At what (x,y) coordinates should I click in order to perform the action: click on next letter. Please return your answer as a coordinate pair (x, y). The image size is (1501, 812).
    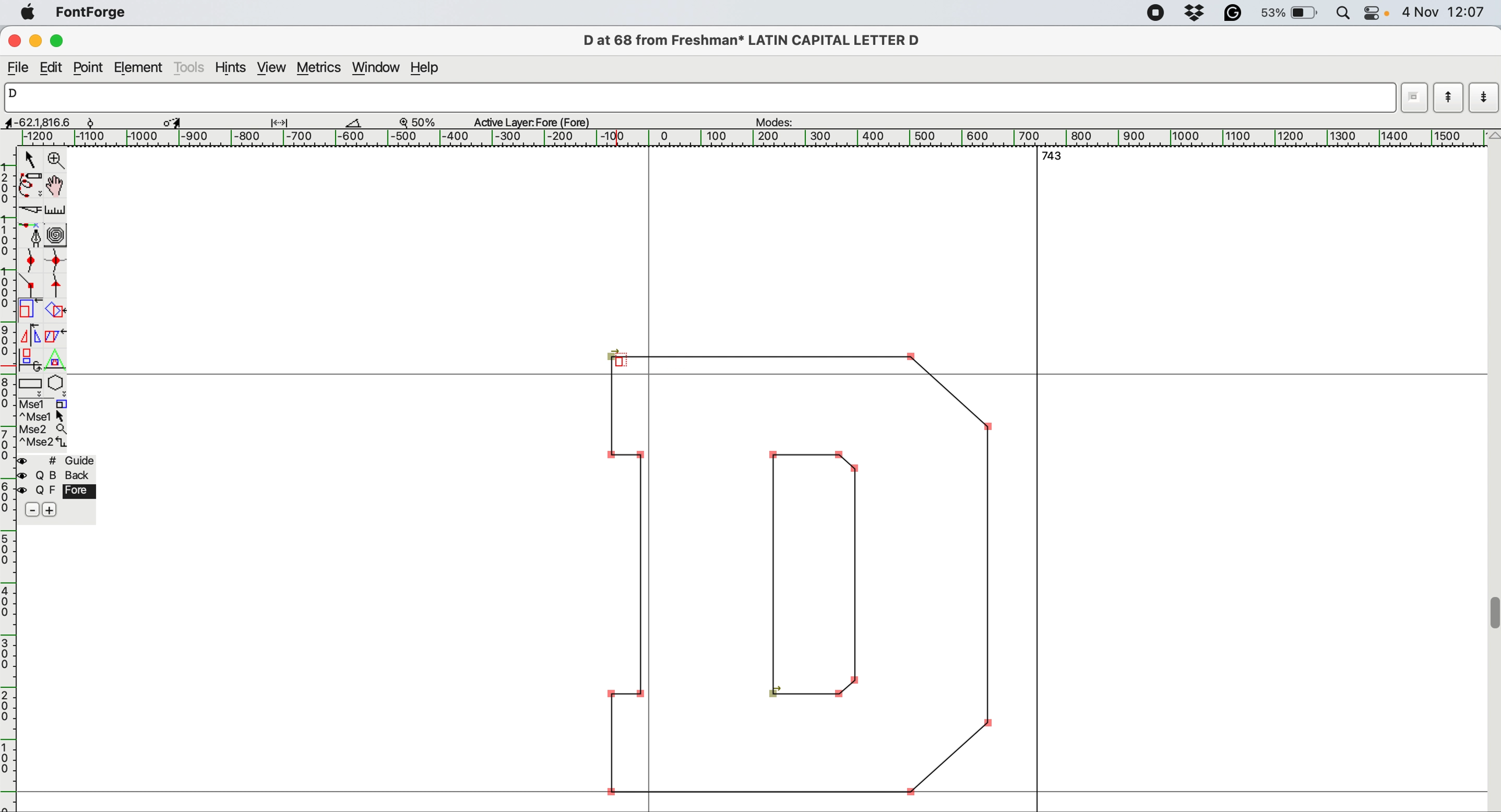
    Looking at the image, I should click on (1485, 99).